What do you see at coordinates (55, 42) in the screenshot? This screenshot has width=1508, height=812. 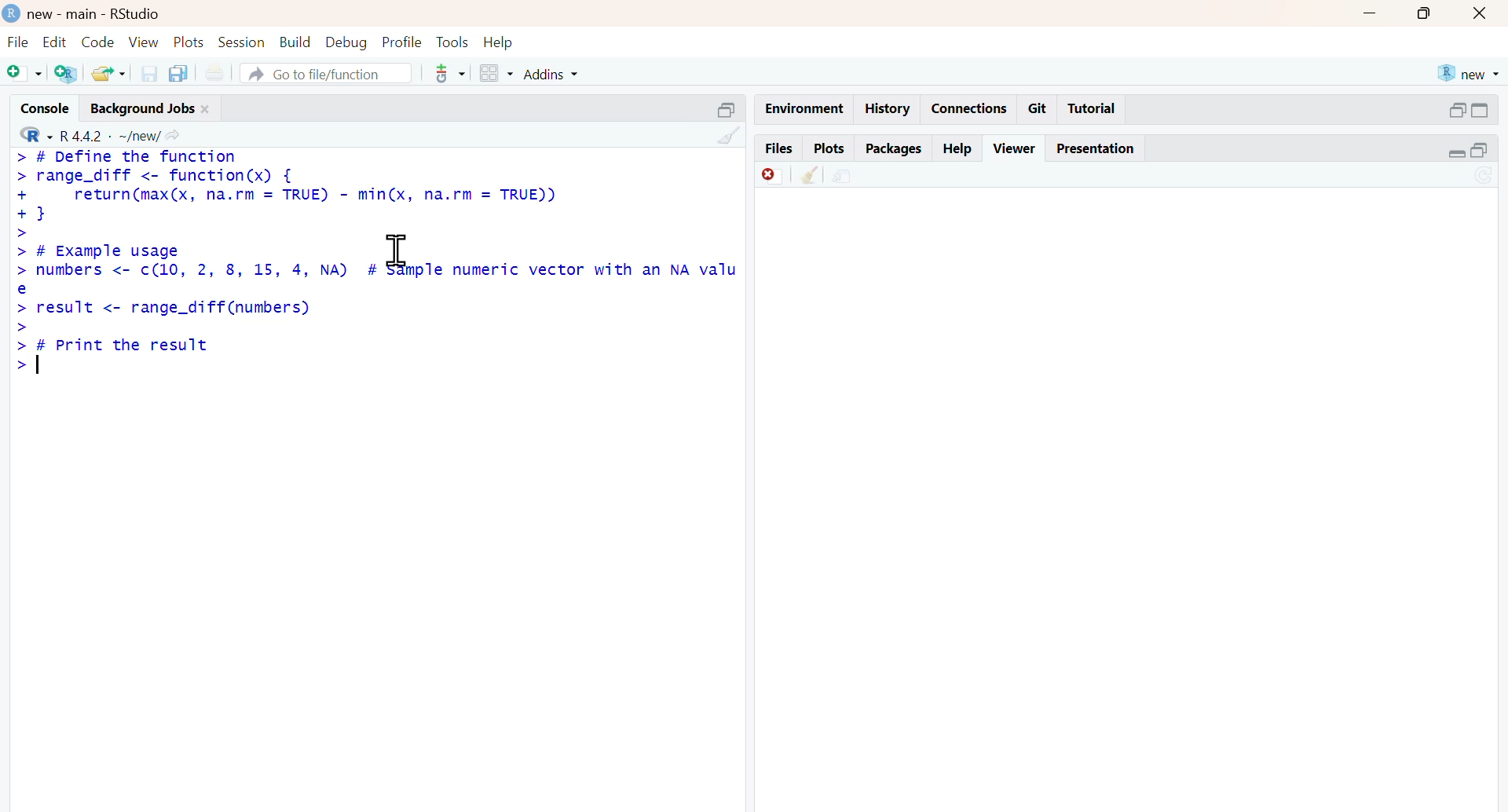 I see `edit` at bounding box center [55, 42].